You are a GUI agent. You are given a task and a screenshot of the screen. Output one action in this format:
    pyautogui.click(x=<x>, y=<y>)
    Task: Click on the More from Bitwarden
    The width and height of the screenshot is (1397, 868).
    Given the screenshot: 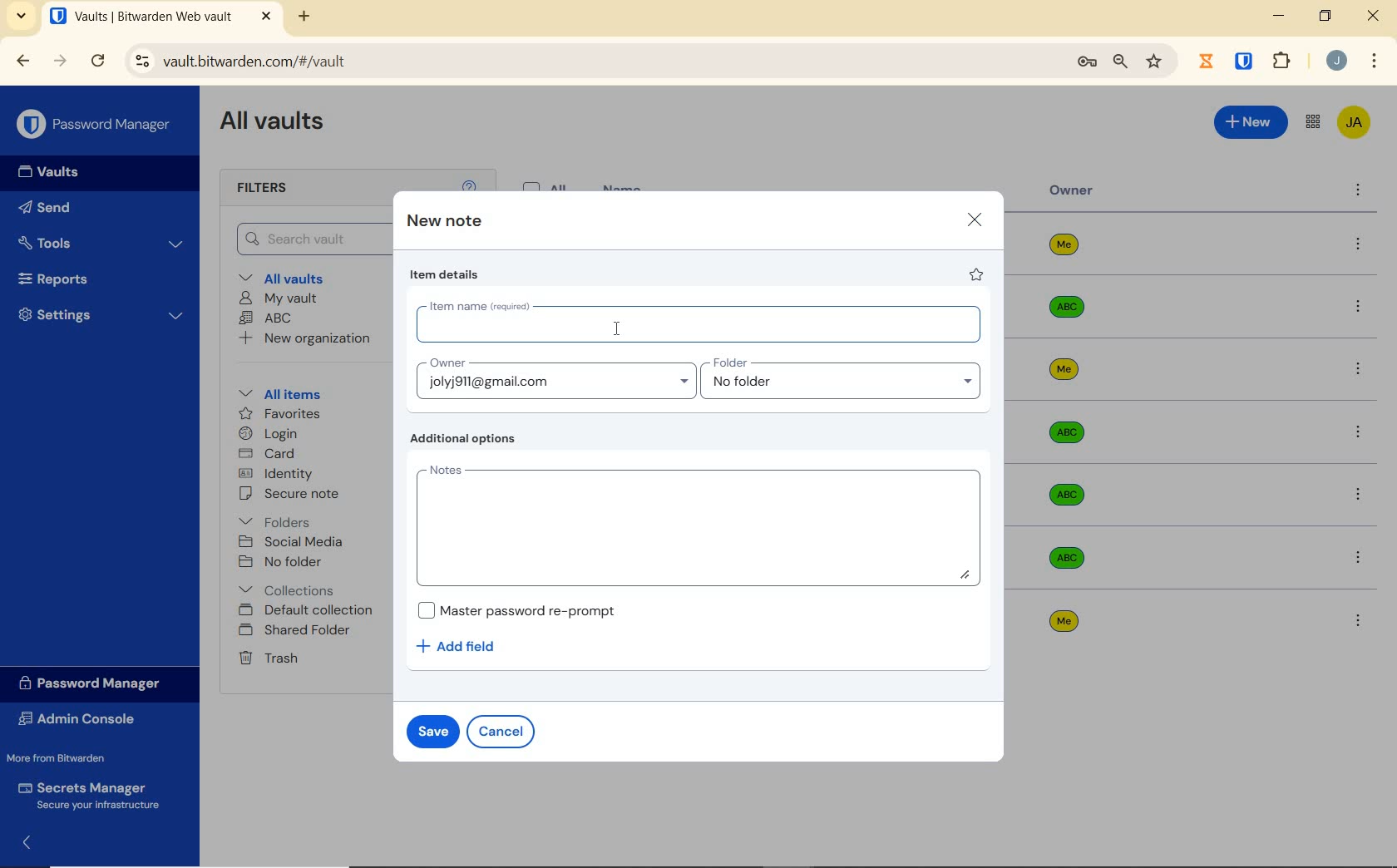 What is the action you would take?
    pyautogui.click(x=73, y=758)
    